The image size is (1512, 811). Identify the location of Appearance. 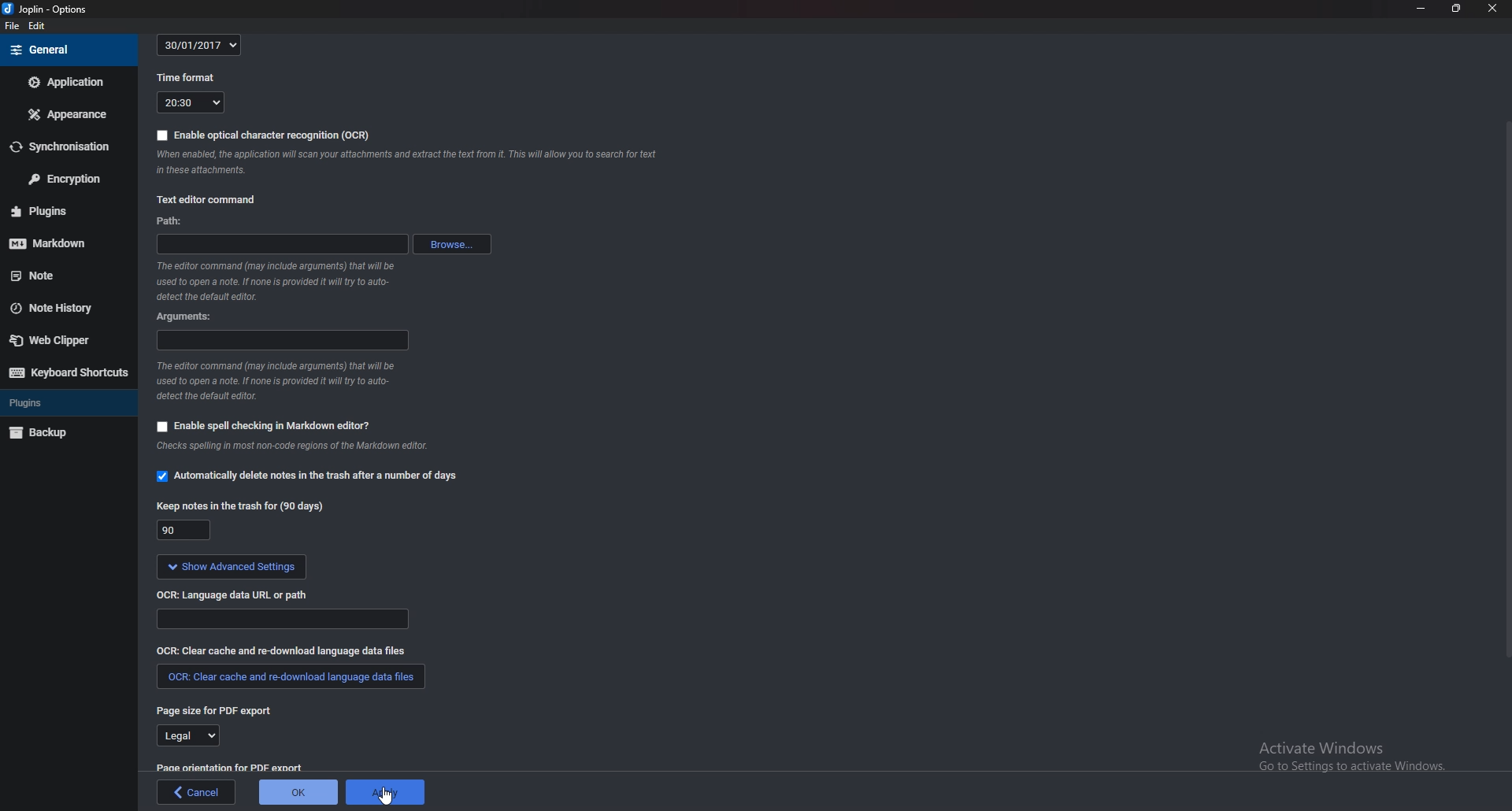
(65, 116).